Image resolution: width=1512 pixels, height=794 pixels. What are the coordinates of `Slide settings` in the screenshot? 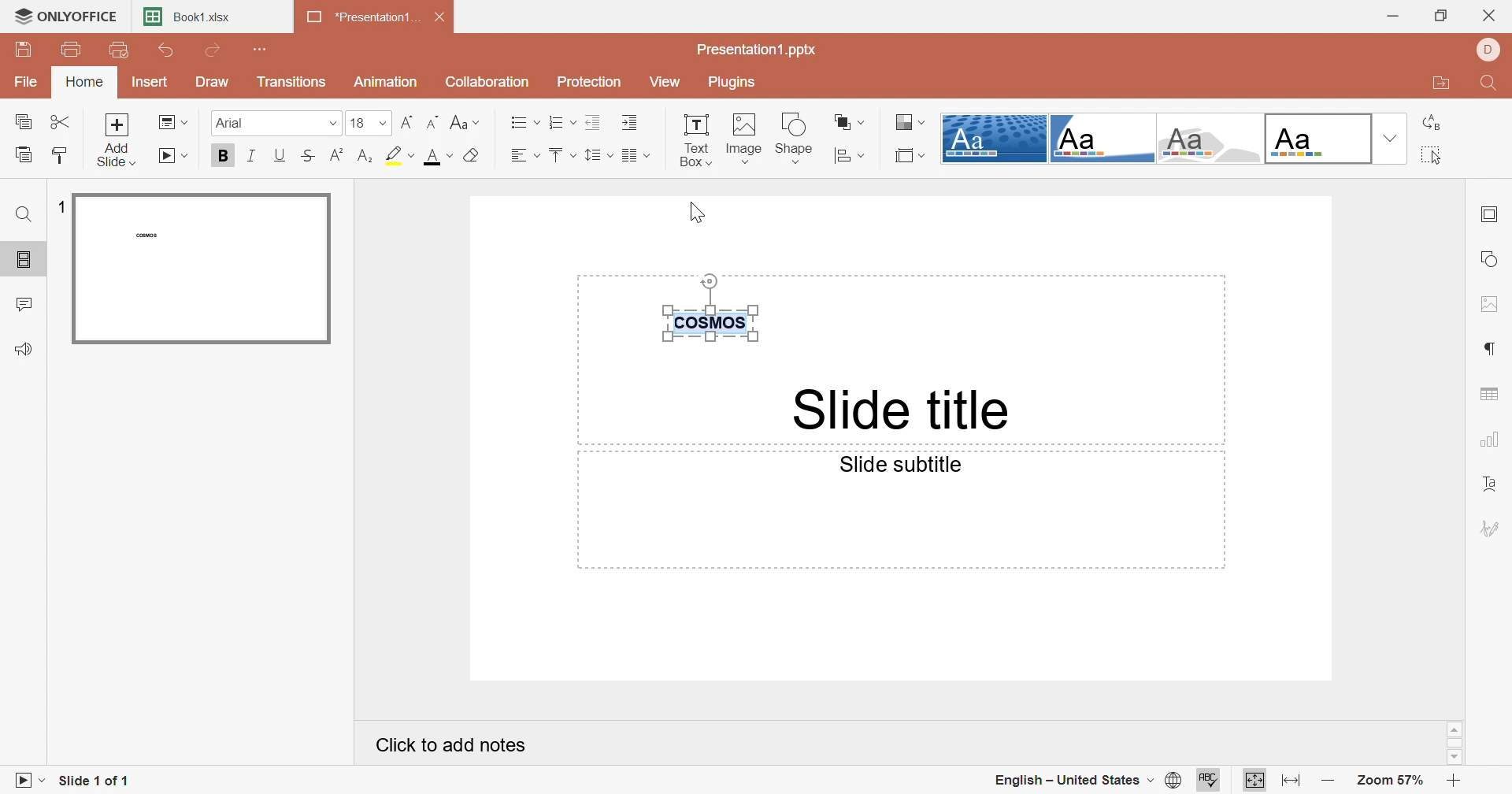 It's located at (1494, 213).